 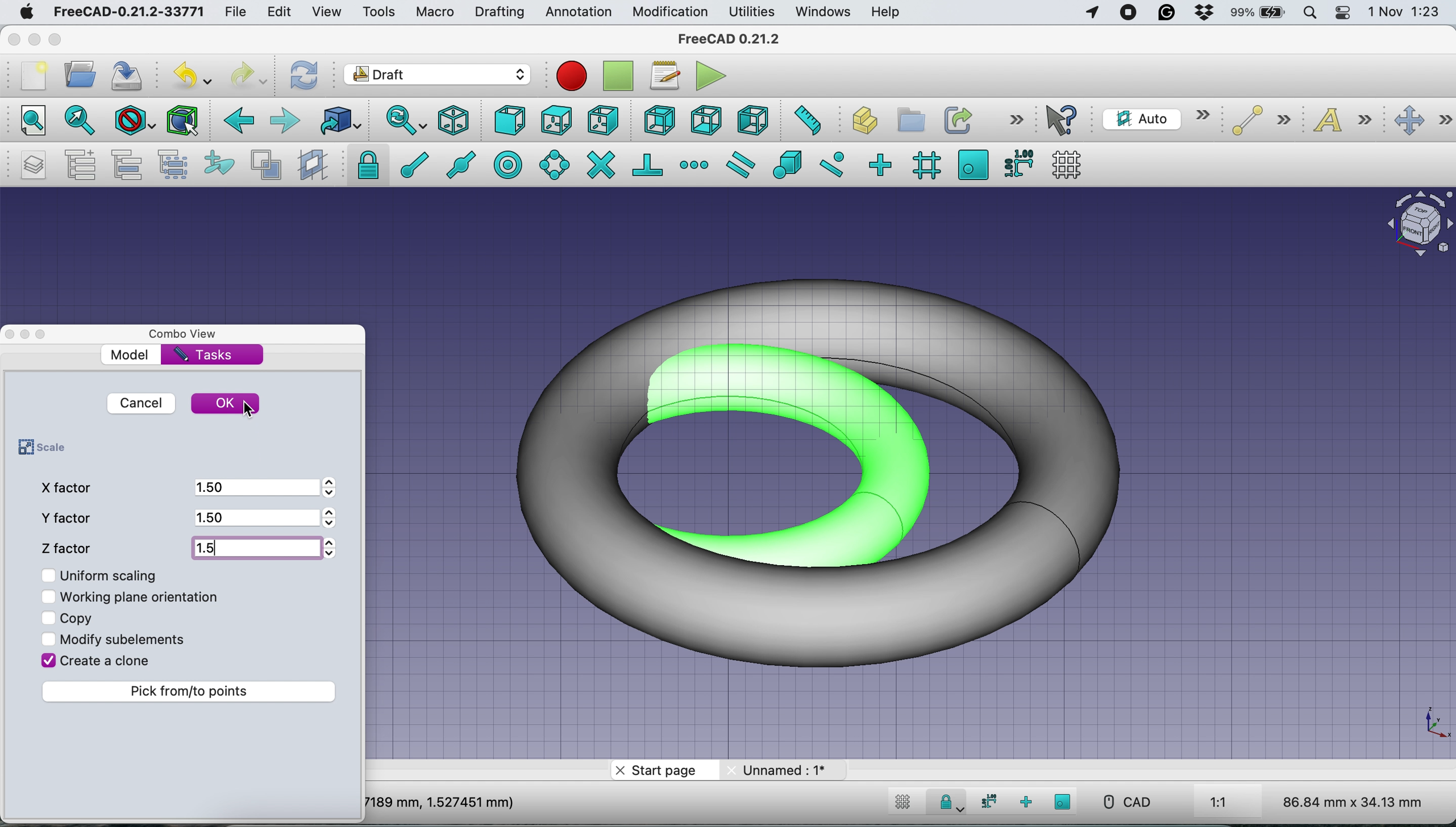 I want to click on y factor, so click(x=70, y=517).